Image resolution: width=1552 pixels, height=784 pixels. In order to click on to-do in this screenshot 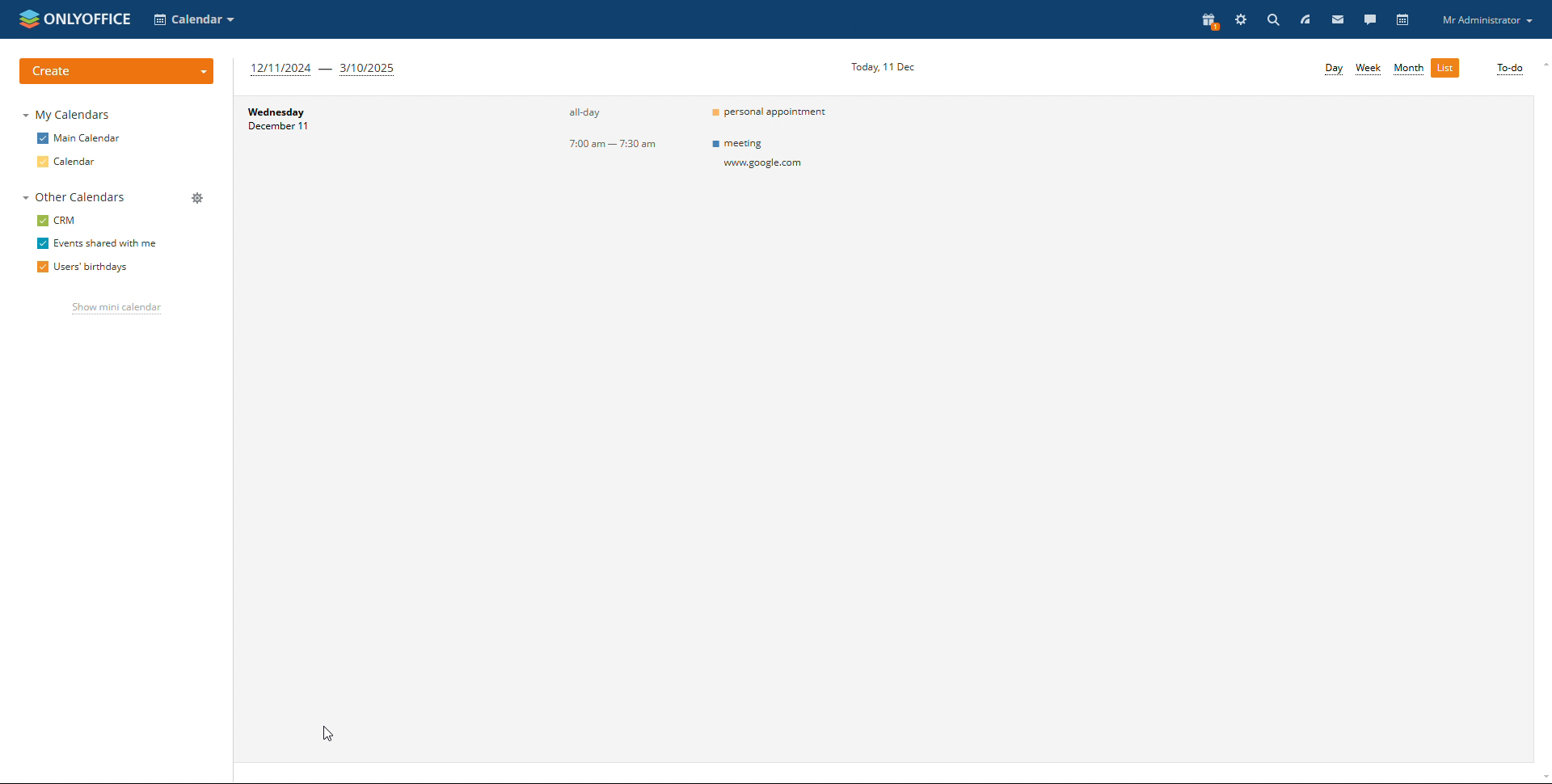, I will do `click(1510, 70)`.